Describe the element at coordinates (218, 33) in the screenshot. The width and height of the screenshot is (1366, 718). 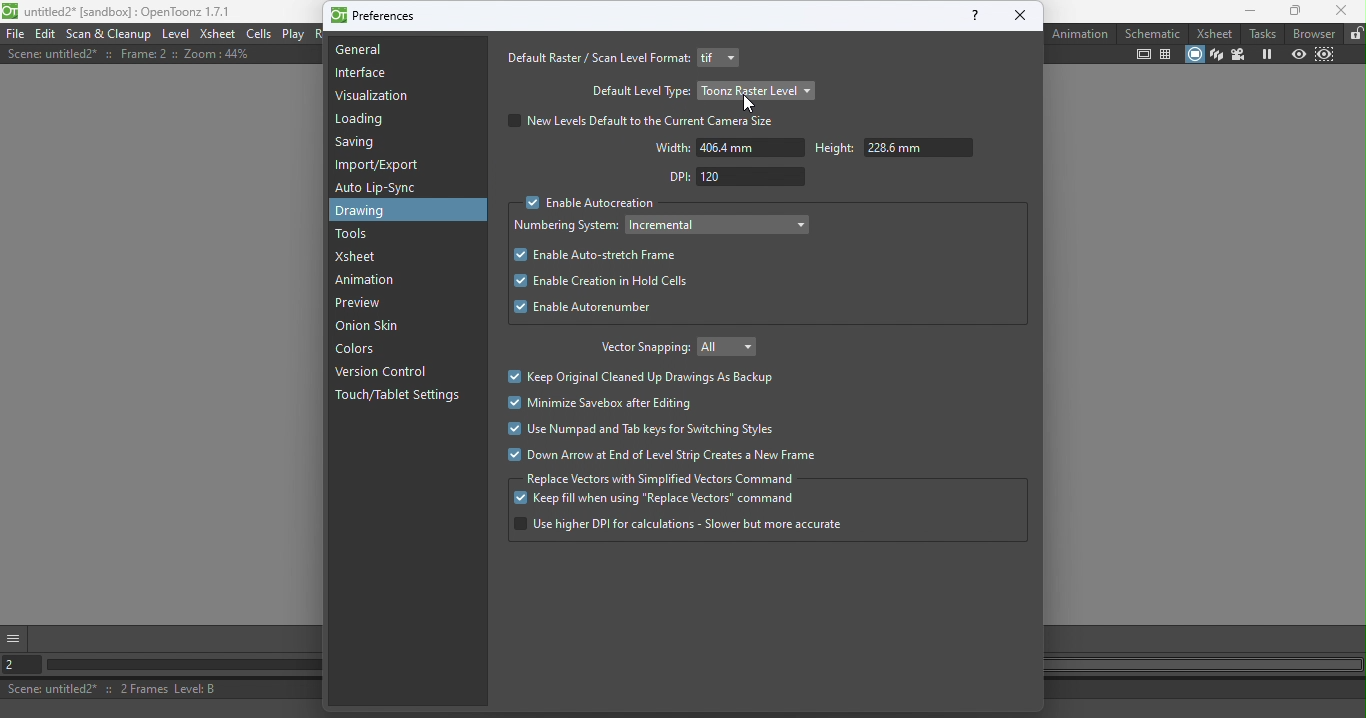
I see `Xsheet` at that location.